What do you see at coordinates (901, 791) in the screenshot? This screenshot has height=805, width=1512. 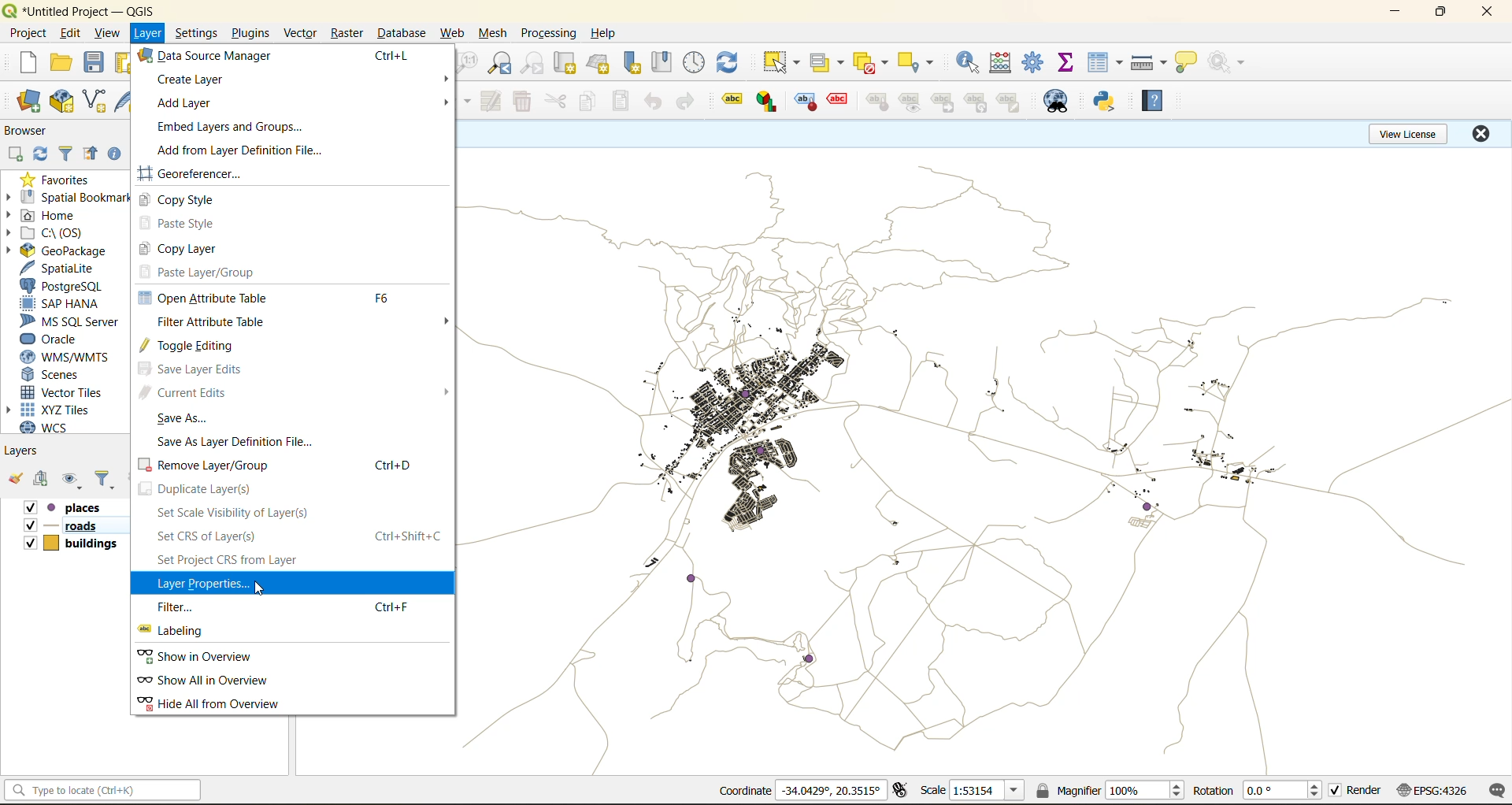 I see `toggle extents` at bounding box center [901, 791].